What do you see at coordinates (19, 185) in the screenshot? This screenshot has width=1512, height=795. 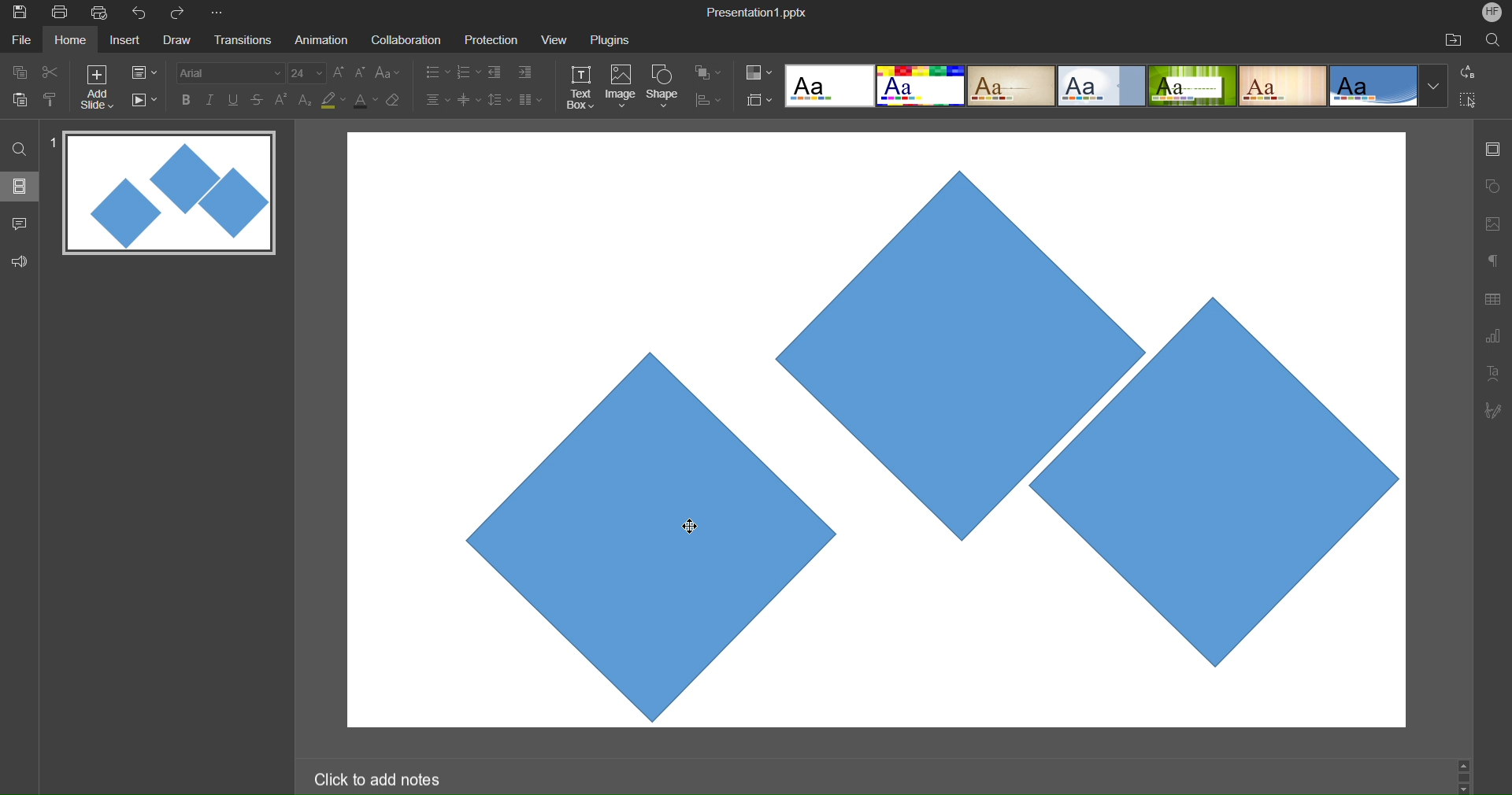 I see `View slides` at bounding box center [19, 185].